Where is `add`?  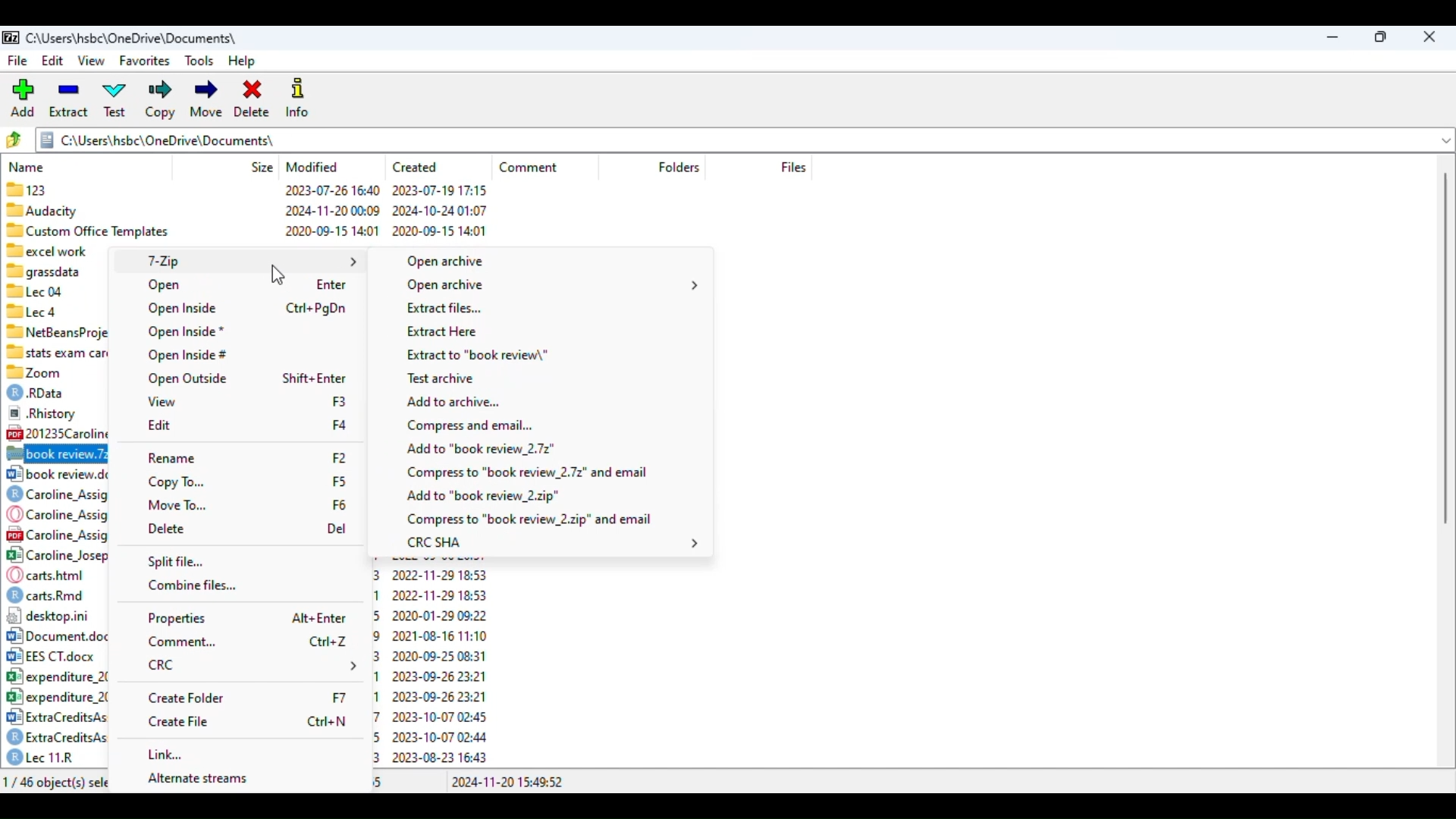
add is located at coordinates (22, 96).